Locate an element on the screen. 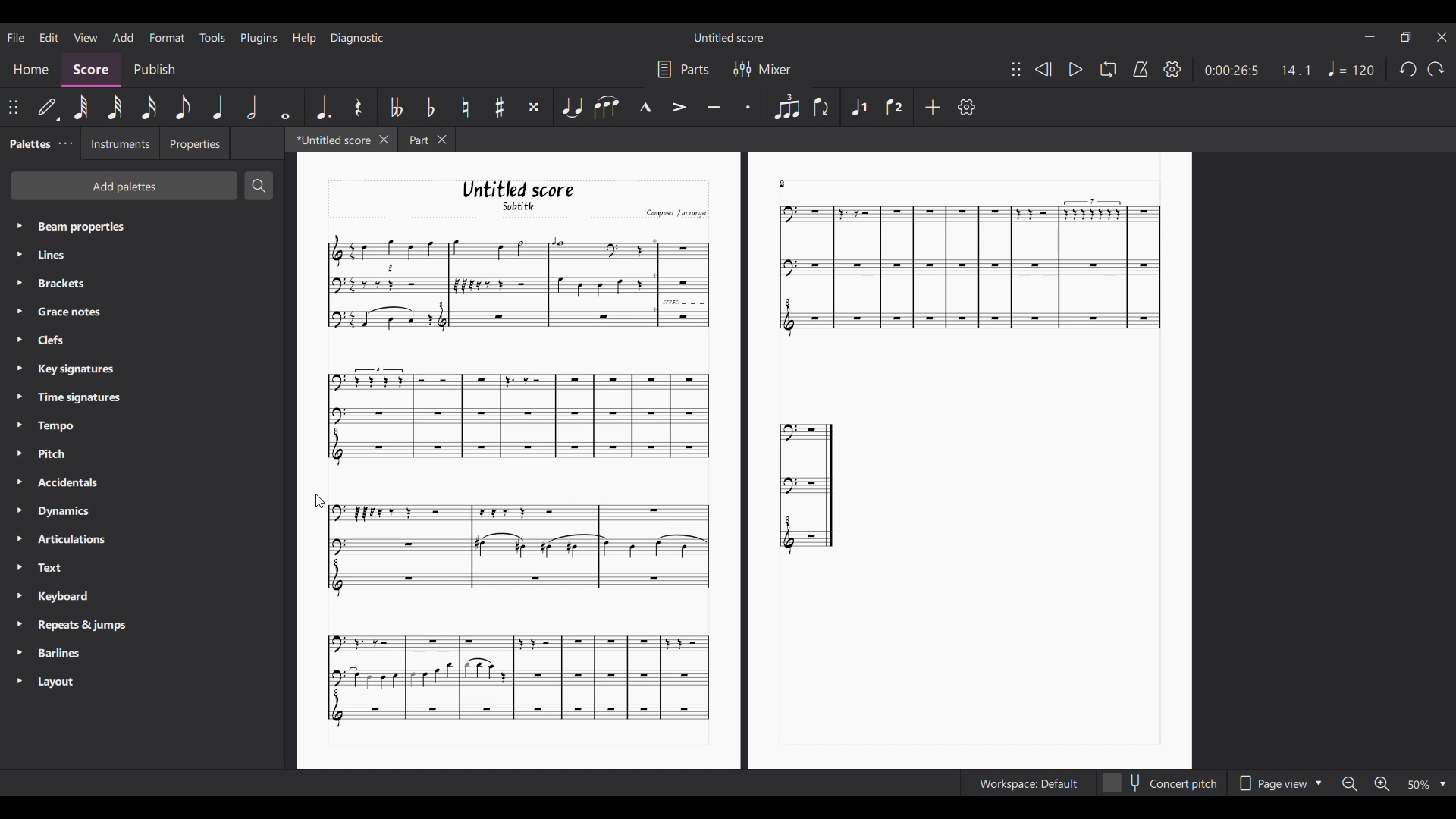 The height and width of the screenshot is (819, 1456). *Untitled score is located at coordinates (328, 139).